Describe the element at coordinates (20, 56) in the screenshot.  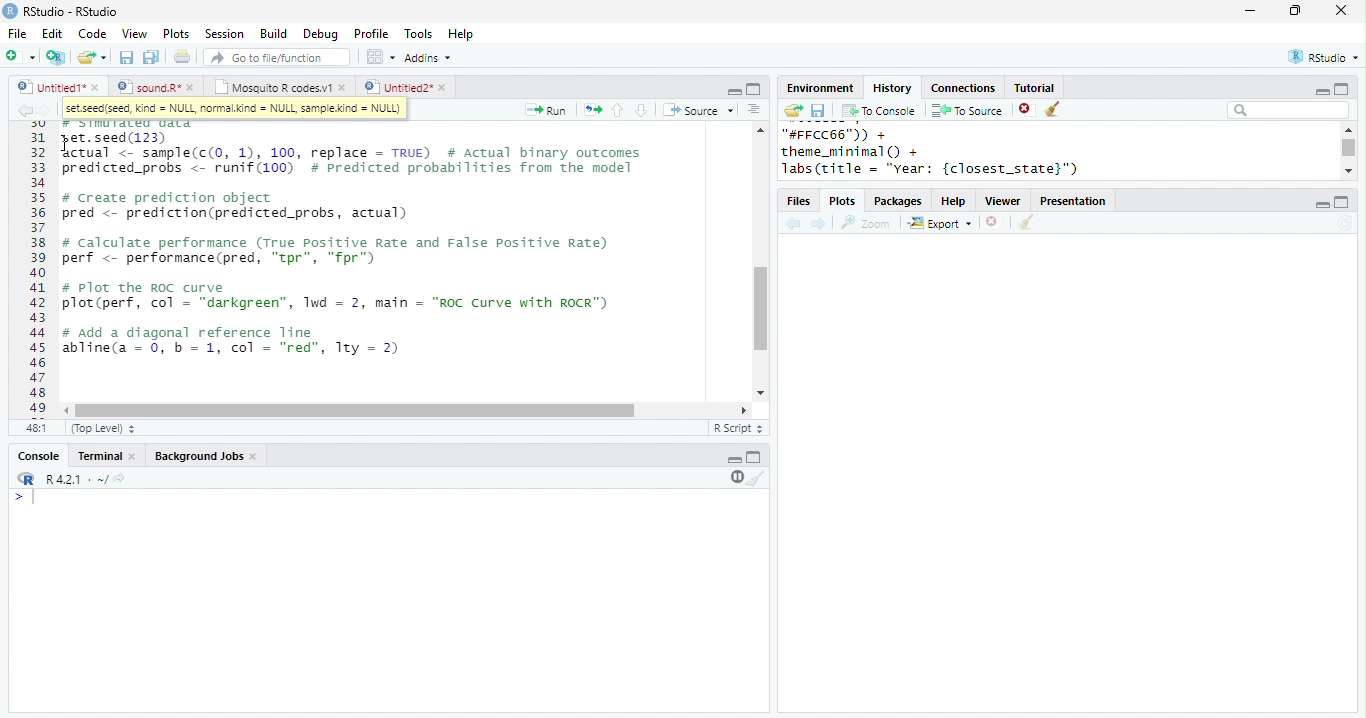
I see `new file` at that location.